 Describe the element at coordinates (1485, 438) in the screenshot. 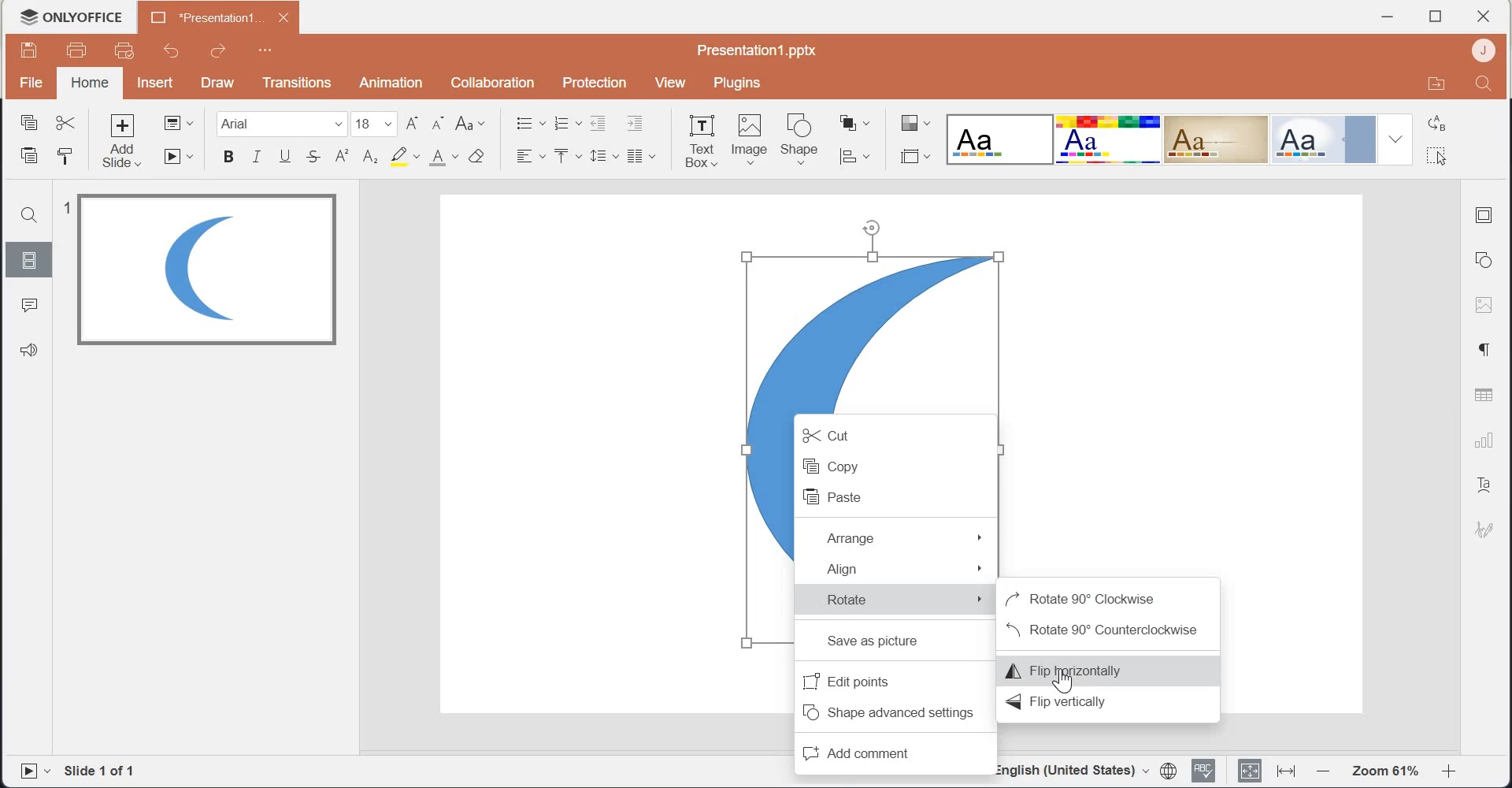

I see `Charts` at that location.